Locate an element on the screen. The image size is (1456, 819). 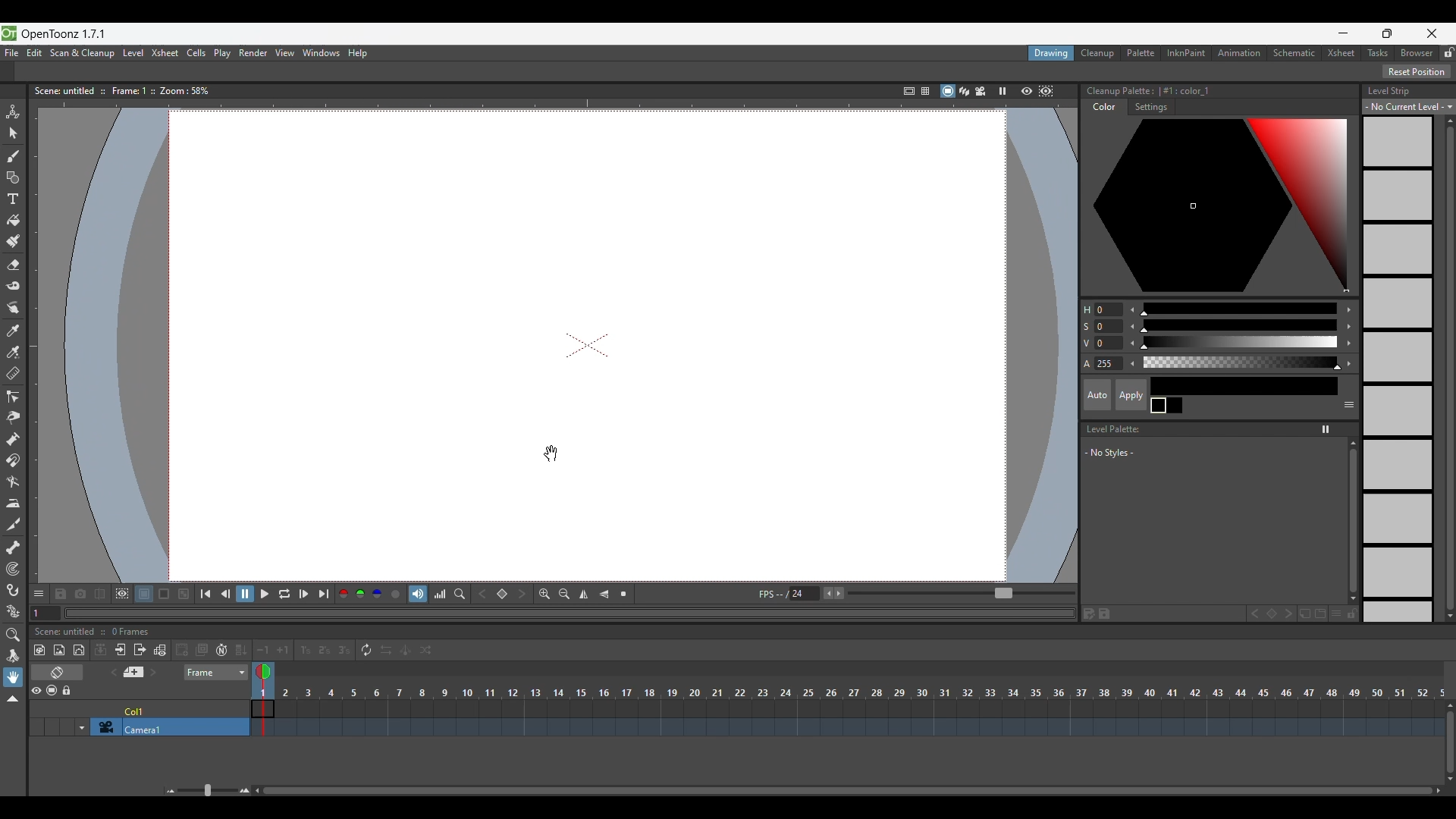
Skeleton tool is located at coordinates (12, 548).